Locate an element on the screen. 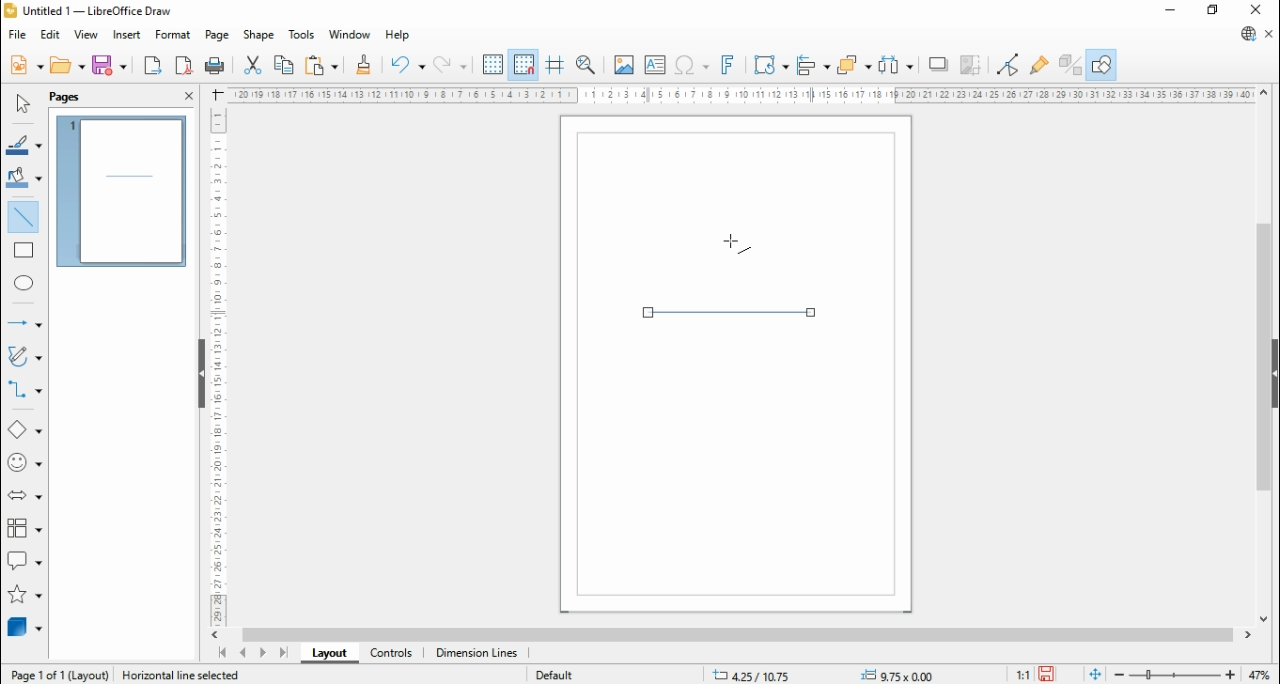 The width and height of the screenshot is (1280, 684). 0.00x0.00 is located at coordinates (900, 675).